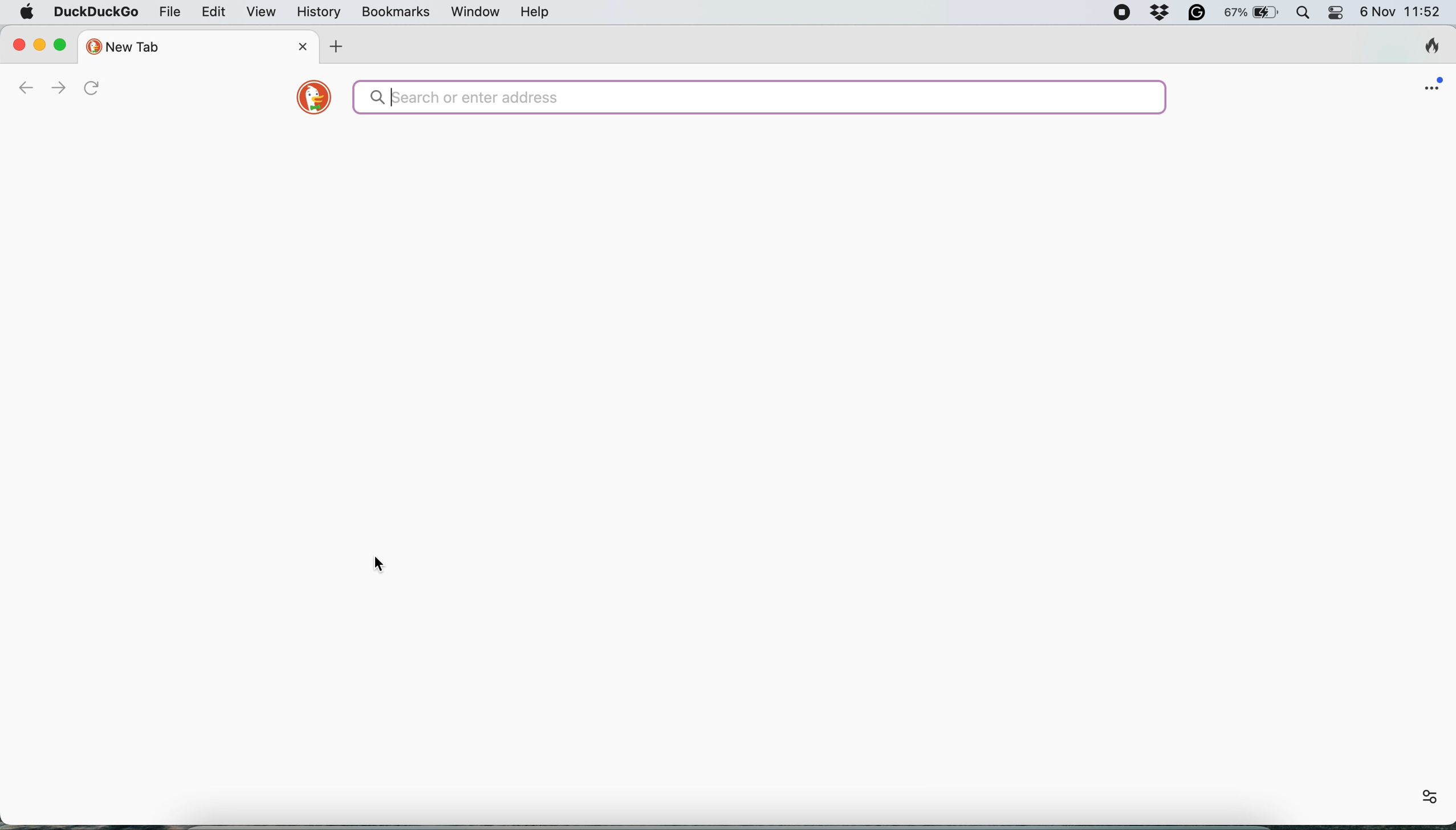  What do you see at coordinates (1417, 795) in the screenshot?
I see `more options` at bounding box center [1417, 795].